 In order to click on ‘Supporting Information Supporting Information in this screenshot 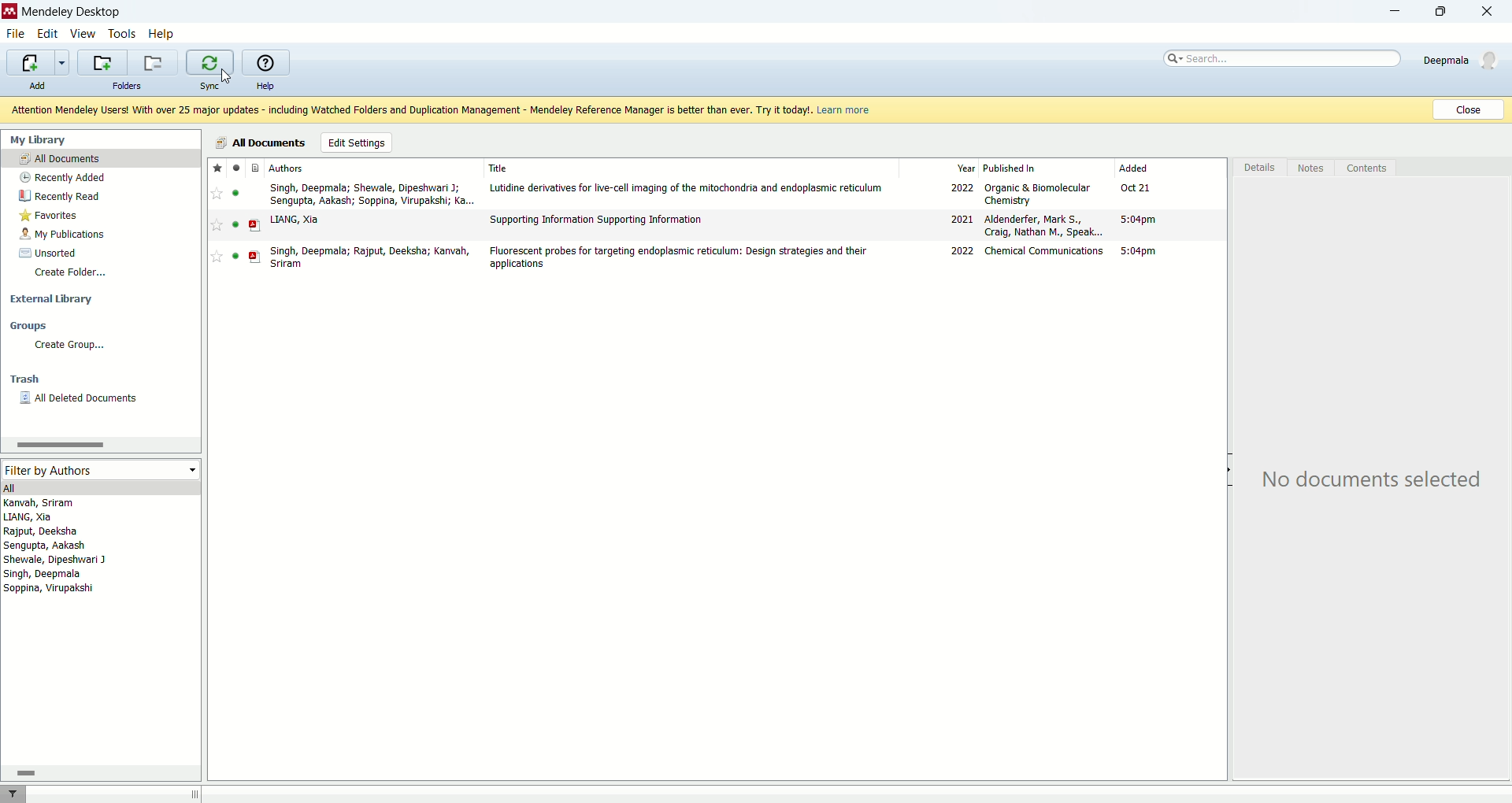, I will do `click(621, 222)`.